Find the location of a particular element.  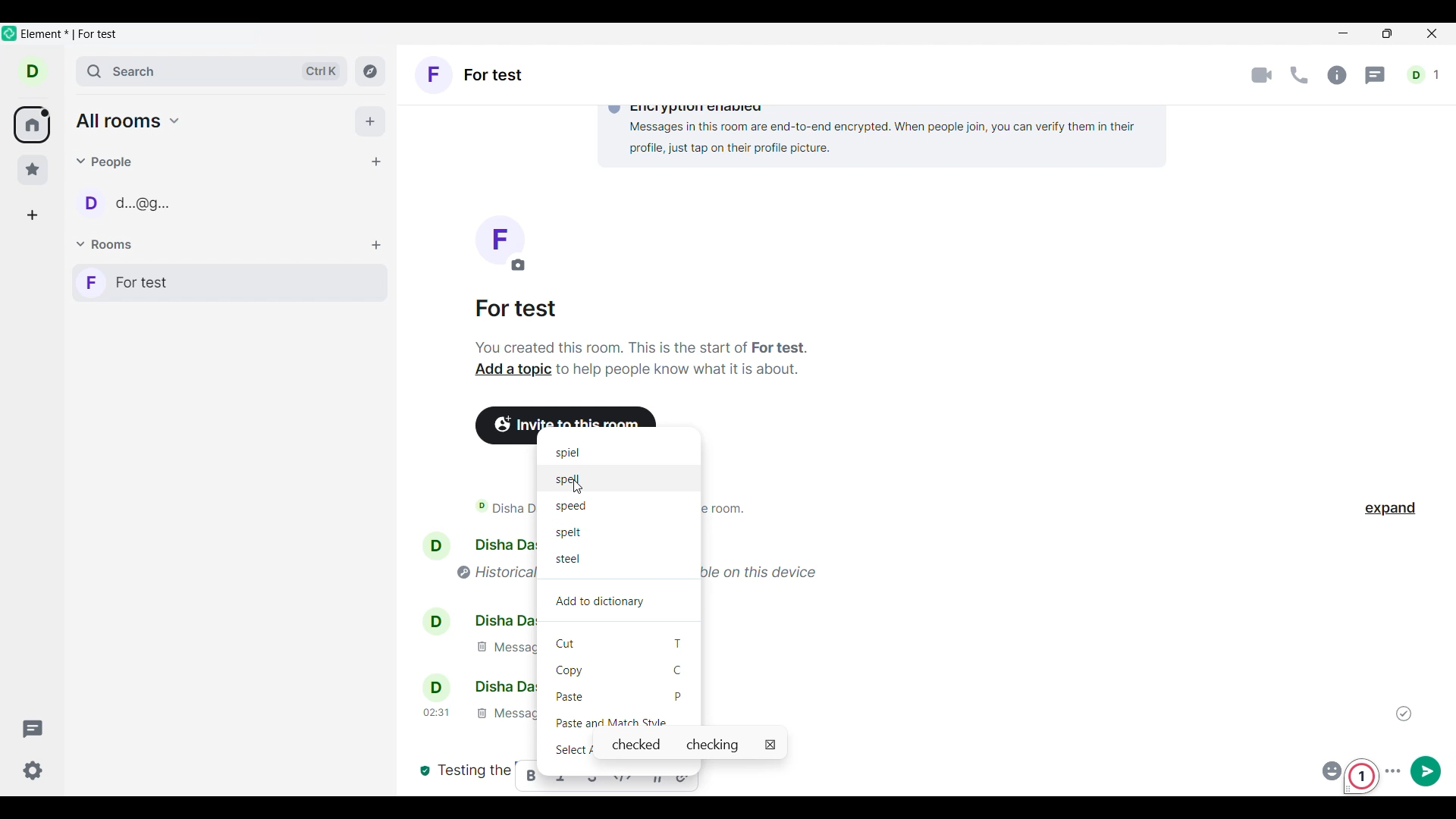

Click to expand is located at coordinates (1390, 509).